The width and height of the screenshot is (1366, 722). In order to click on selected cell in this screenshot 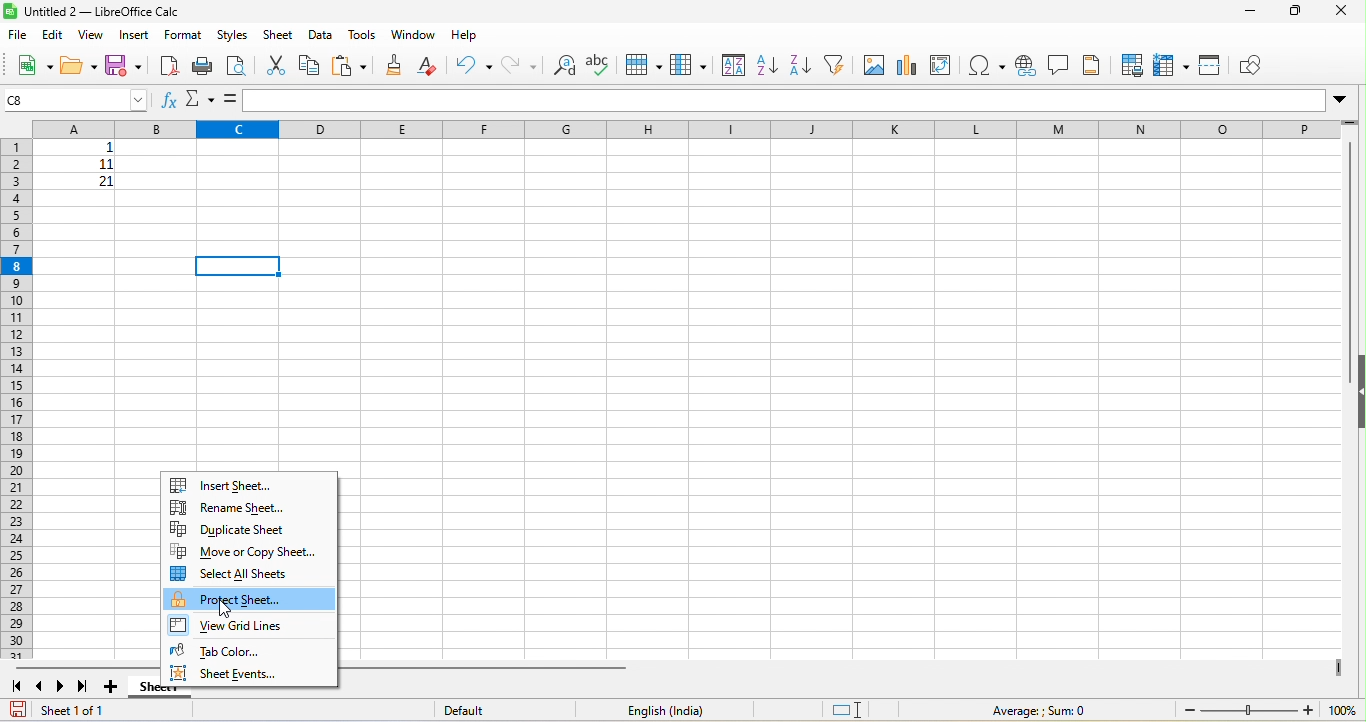, I will do `click(238, 265)`.